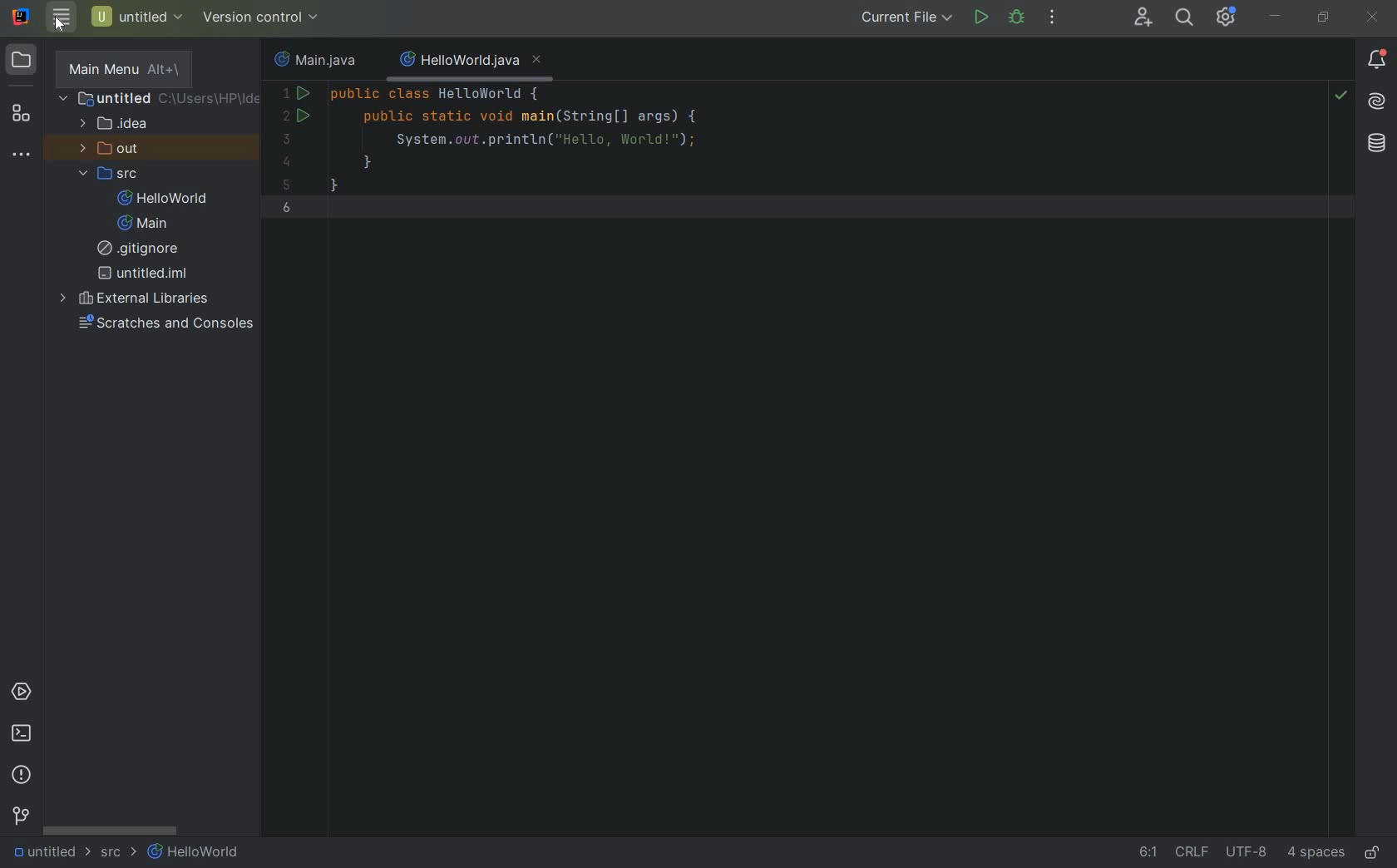  I want to click on SERVICES, so click(22, 693).